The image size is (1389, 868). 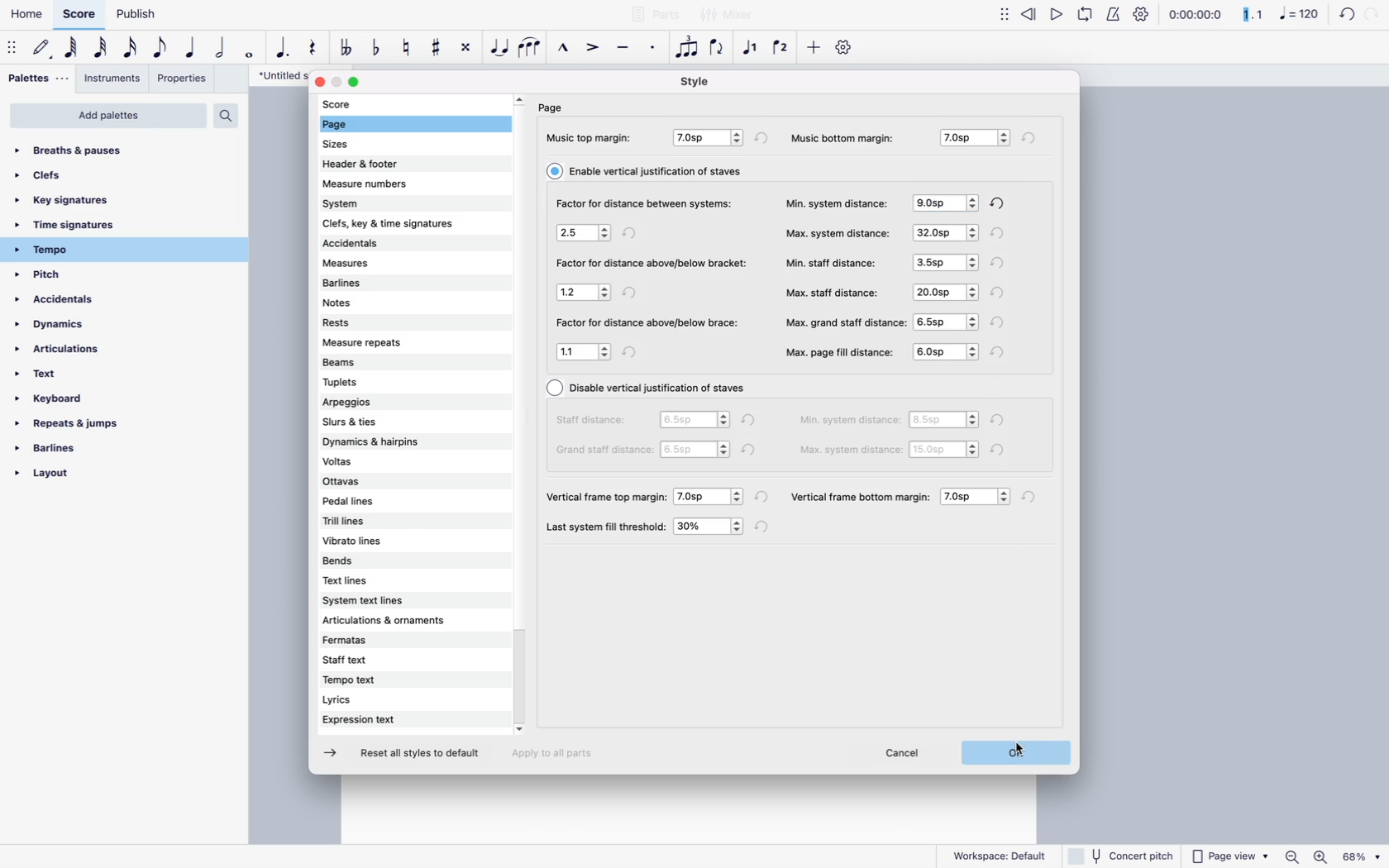 I want to click on last system fill threshold, so click(x=608, y=527).